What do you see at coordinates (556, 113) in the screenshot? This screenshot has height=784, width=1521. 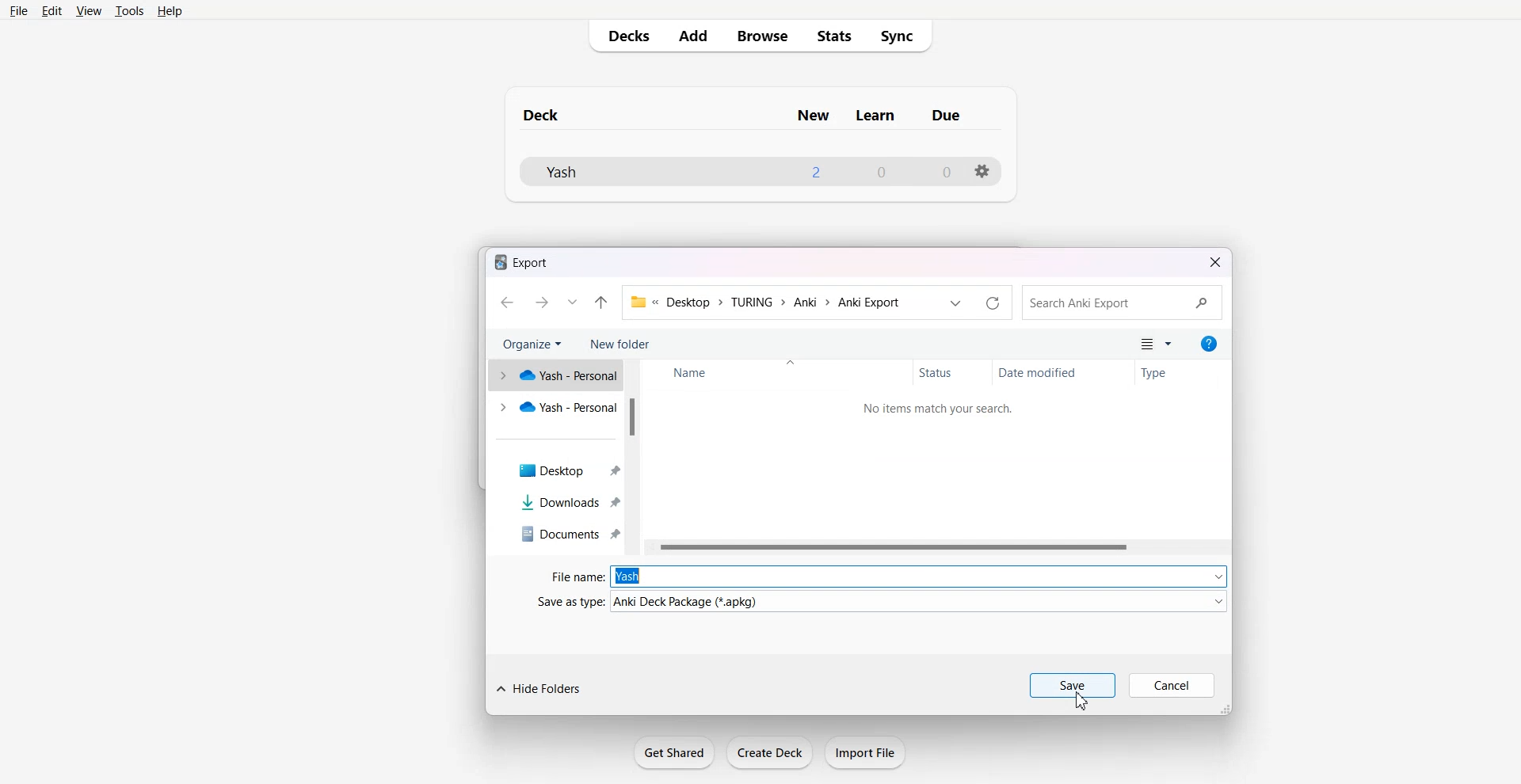 I see `deck` at bounding box center [556, 113].